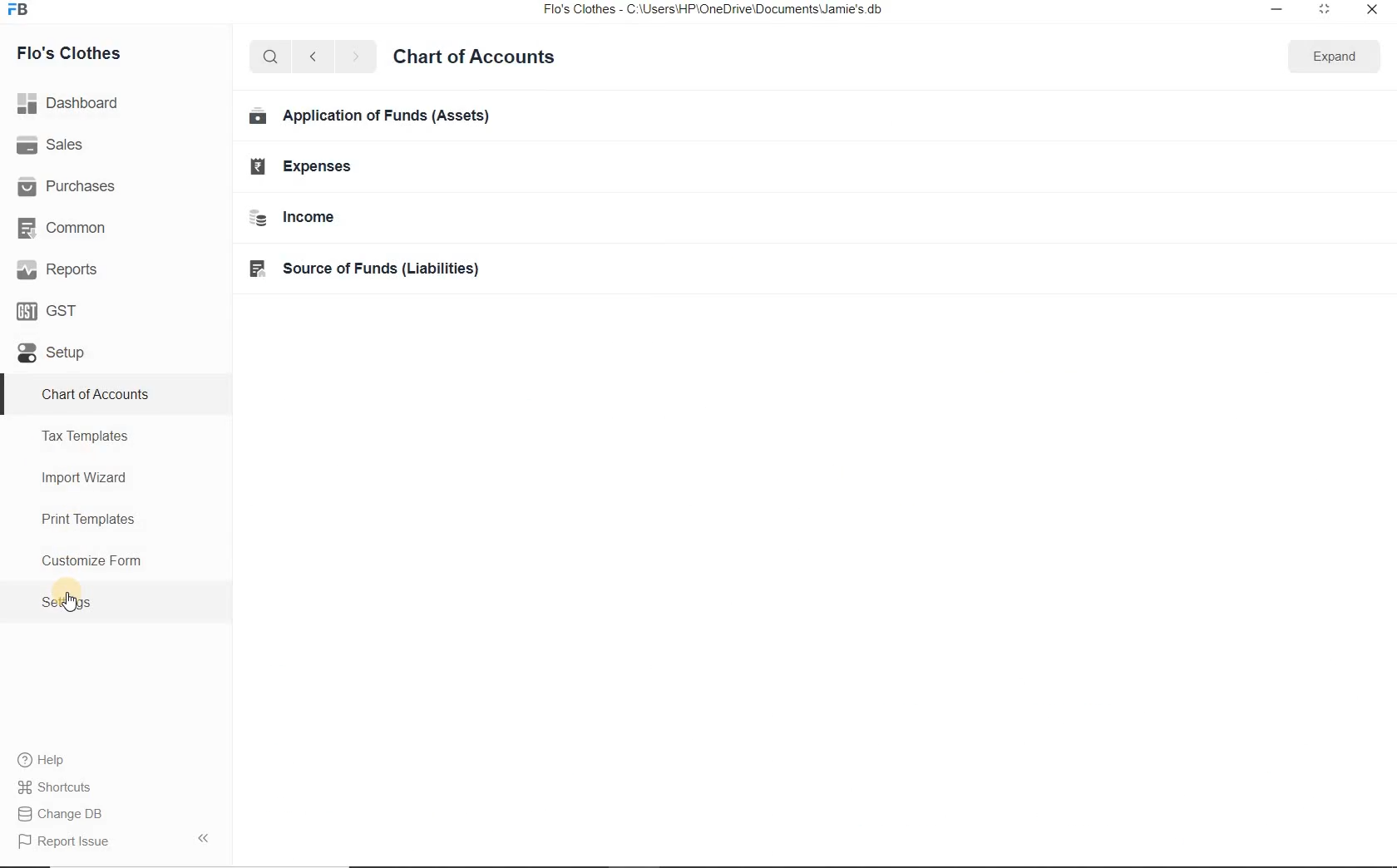 The image size is (1397, 868). Describe the element at coordinates (116, 395) in the screenshot. I see `Chart of accounts` at that location.